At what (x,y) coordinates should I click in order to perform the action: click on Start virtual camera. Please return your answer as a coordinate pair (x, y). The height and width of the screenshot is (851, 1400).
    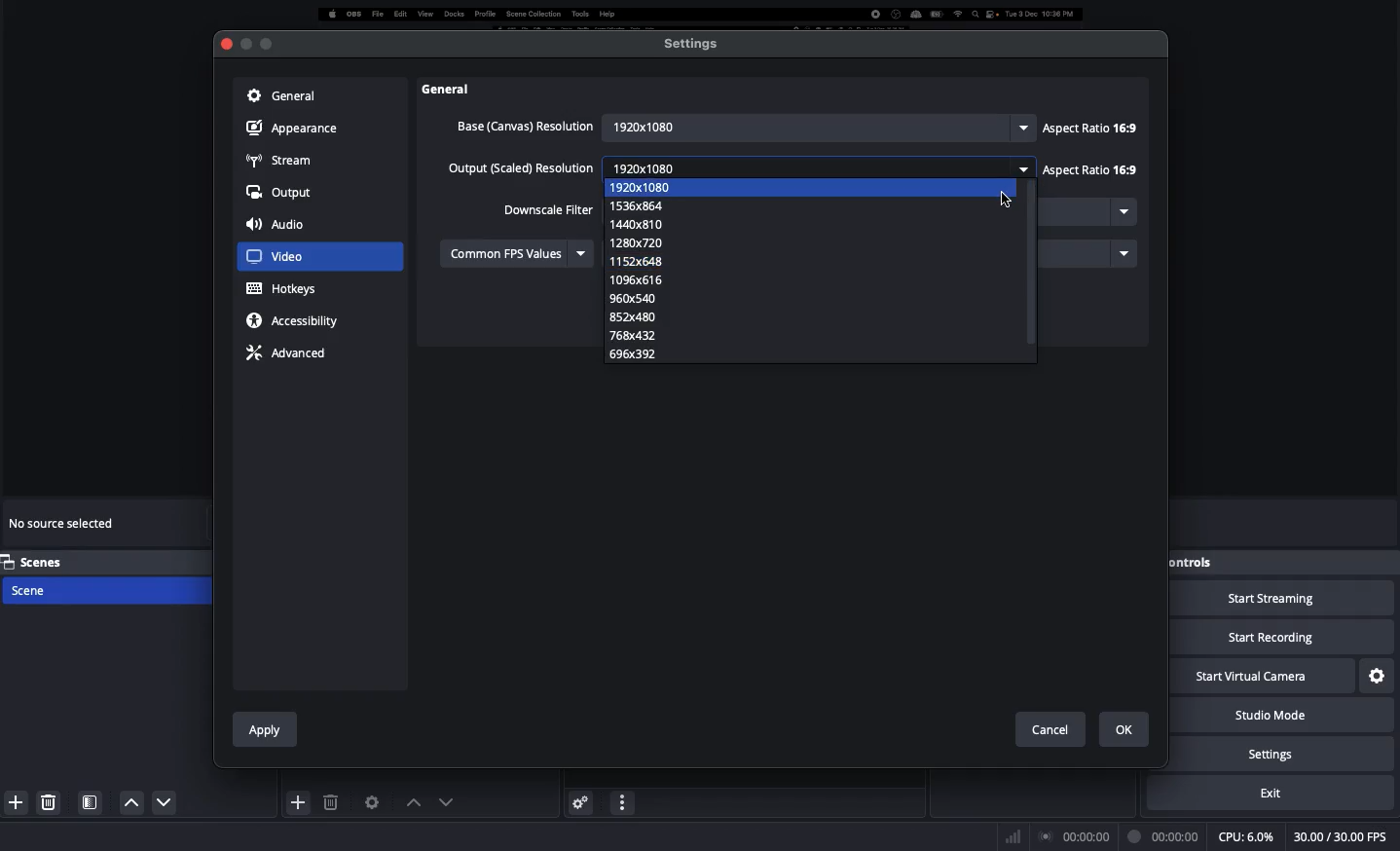
    Looking at the image, I should click on (1264, 678).